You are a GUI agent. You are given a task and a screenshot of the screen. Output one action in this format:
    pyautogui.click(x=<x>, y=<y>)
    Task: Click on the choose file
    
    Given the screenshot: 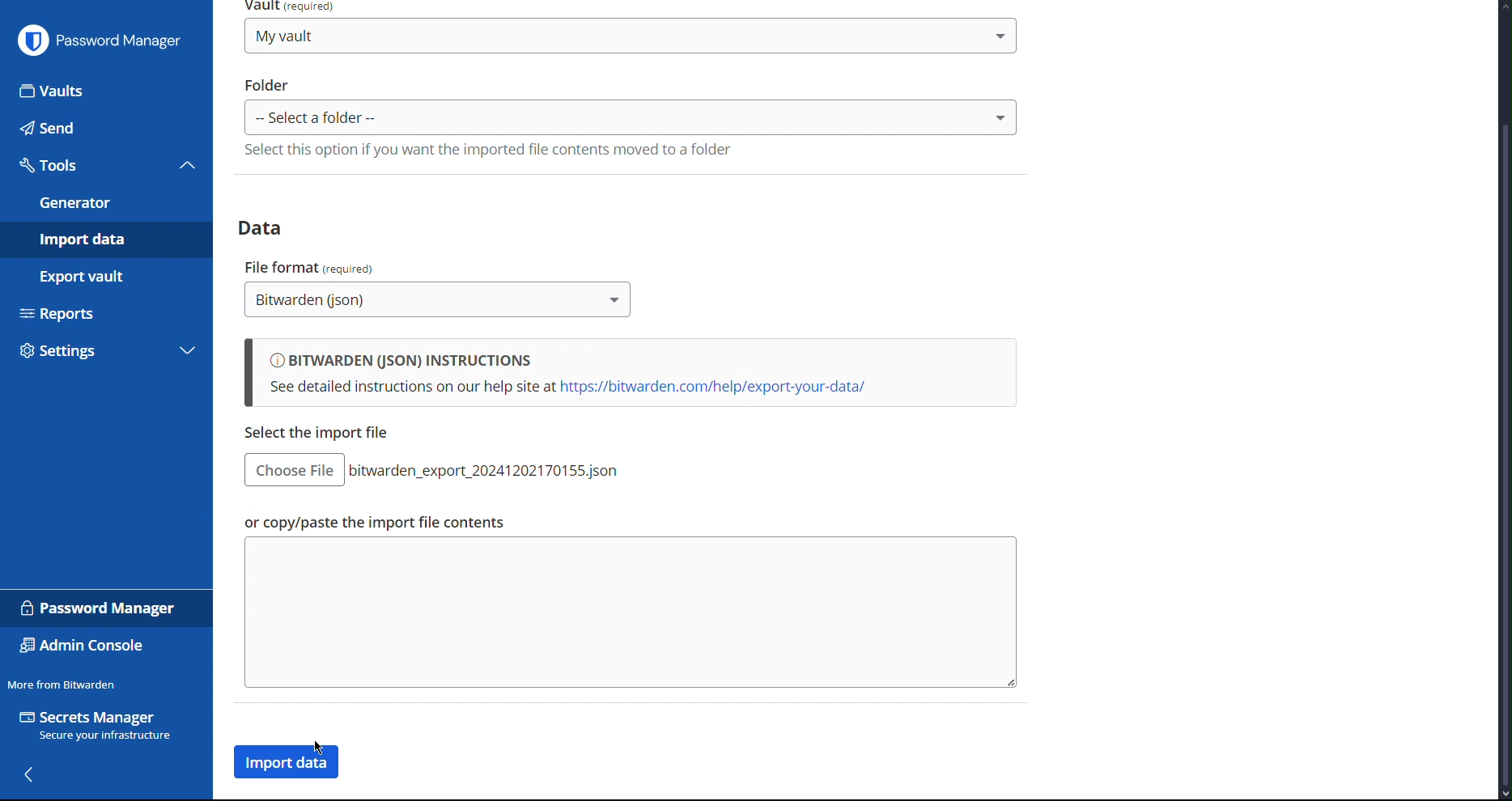 What is the action you would take?
    pyautogui.click(x=294, y=470)
    